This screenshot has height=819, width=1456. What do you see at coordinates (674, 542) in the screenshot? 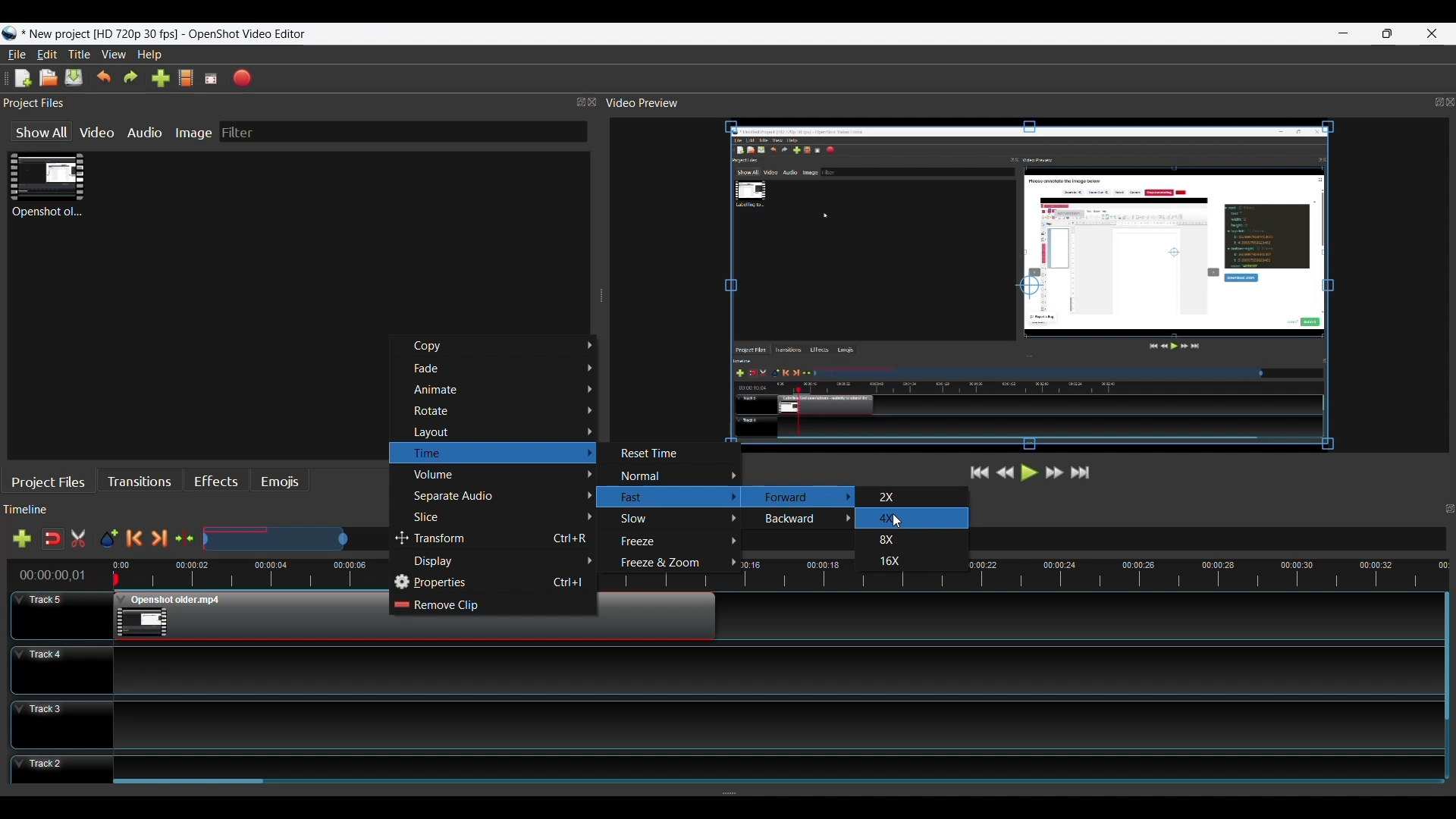
I see `Freeze` at bounding box center [674, 542].